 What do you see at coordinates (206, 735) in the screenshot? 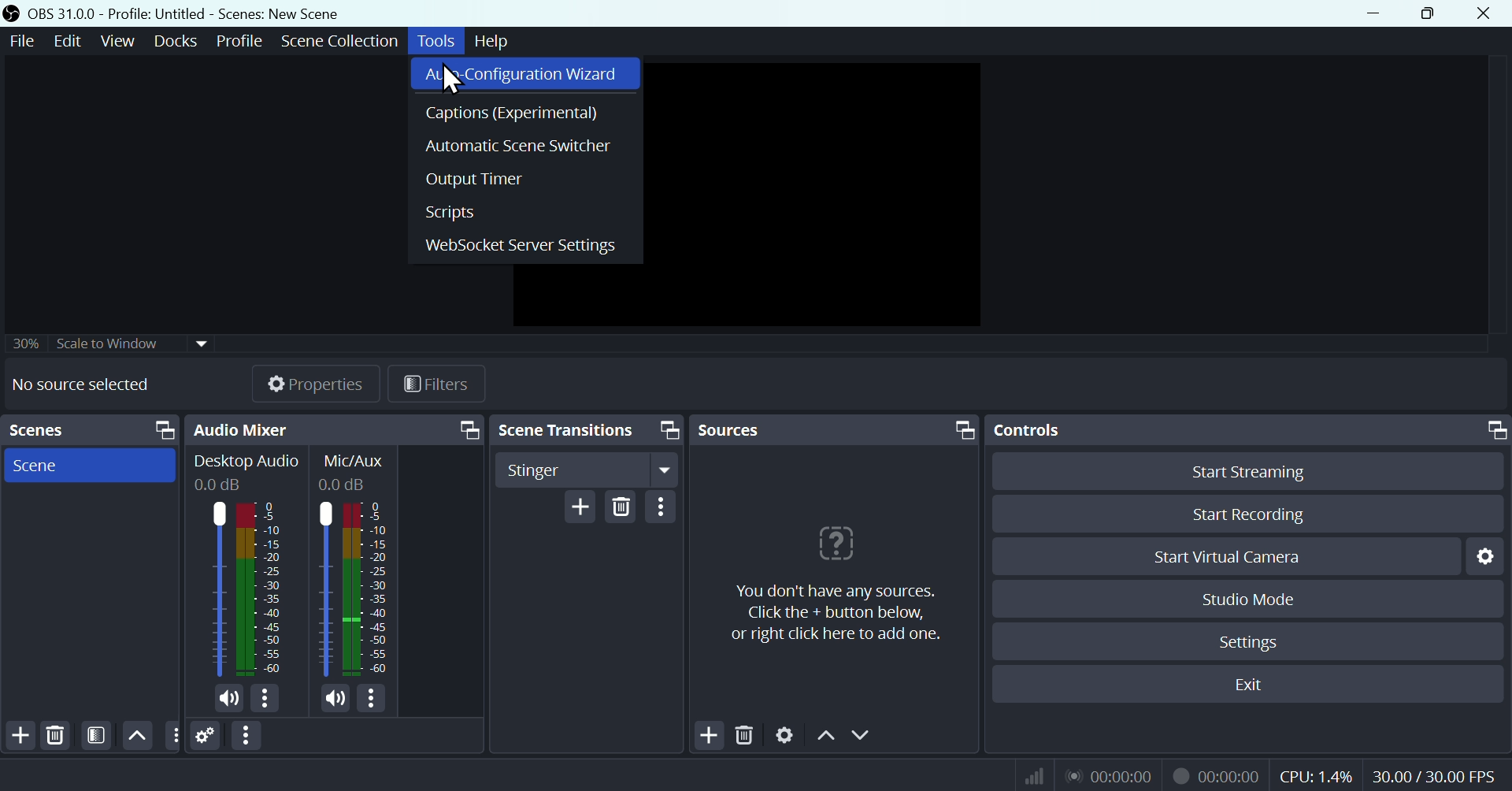
I see `Settings` at bounding box center [206, 735].